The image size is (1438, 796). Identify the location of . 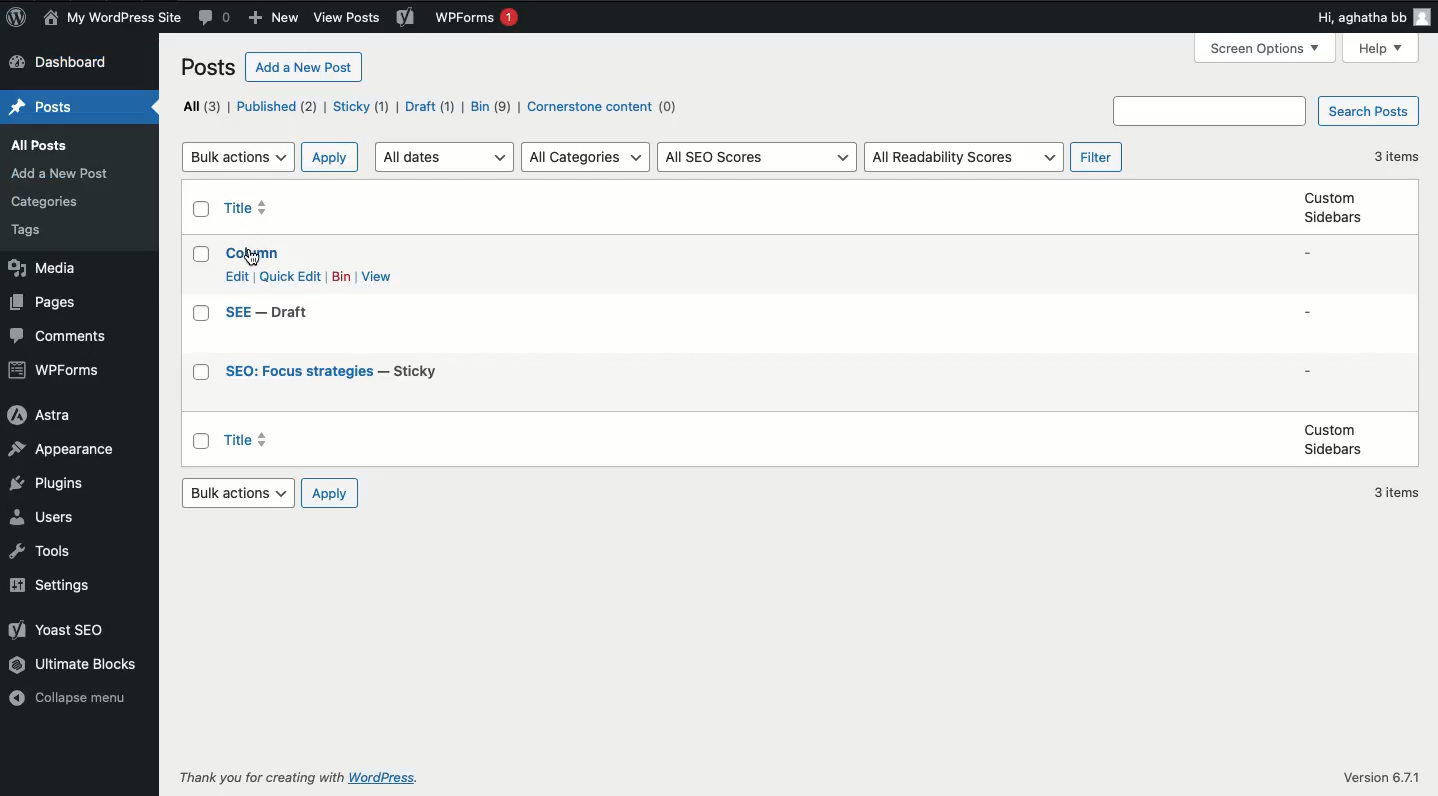
(63, 175).